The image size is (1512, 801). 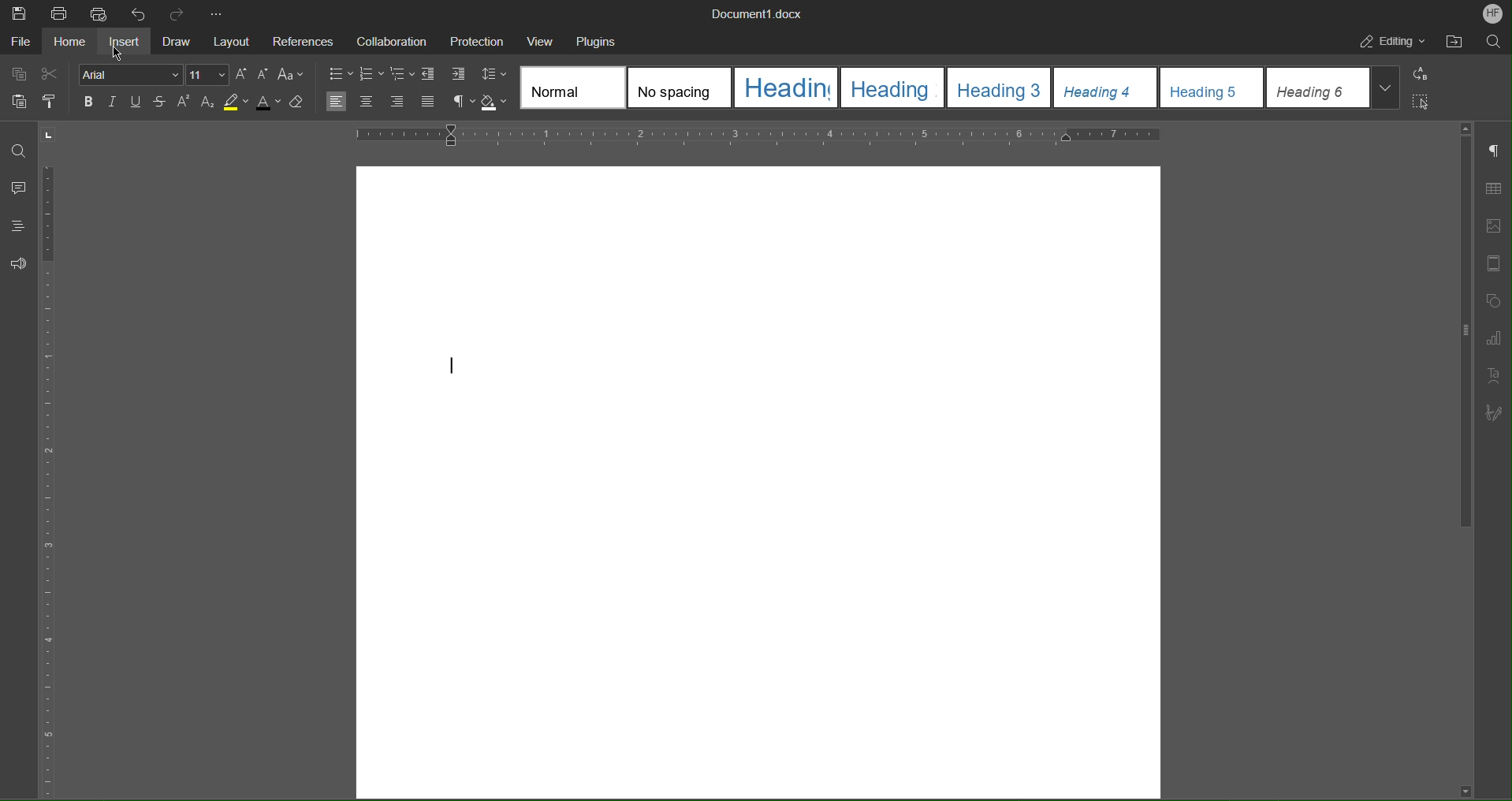 I want to click on Table, so click(x=1492, y=190).